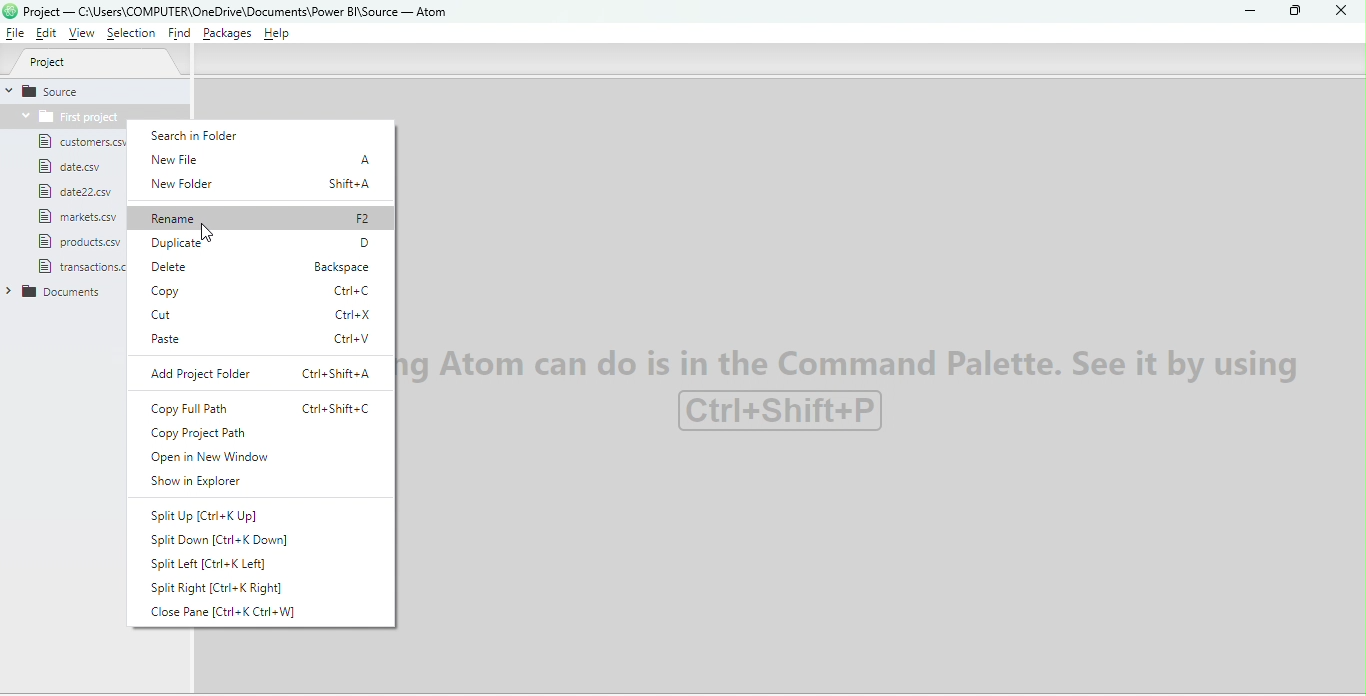 The height and width of the screenshot is (696, 1366). I want to click on File name, so click(243, 12).